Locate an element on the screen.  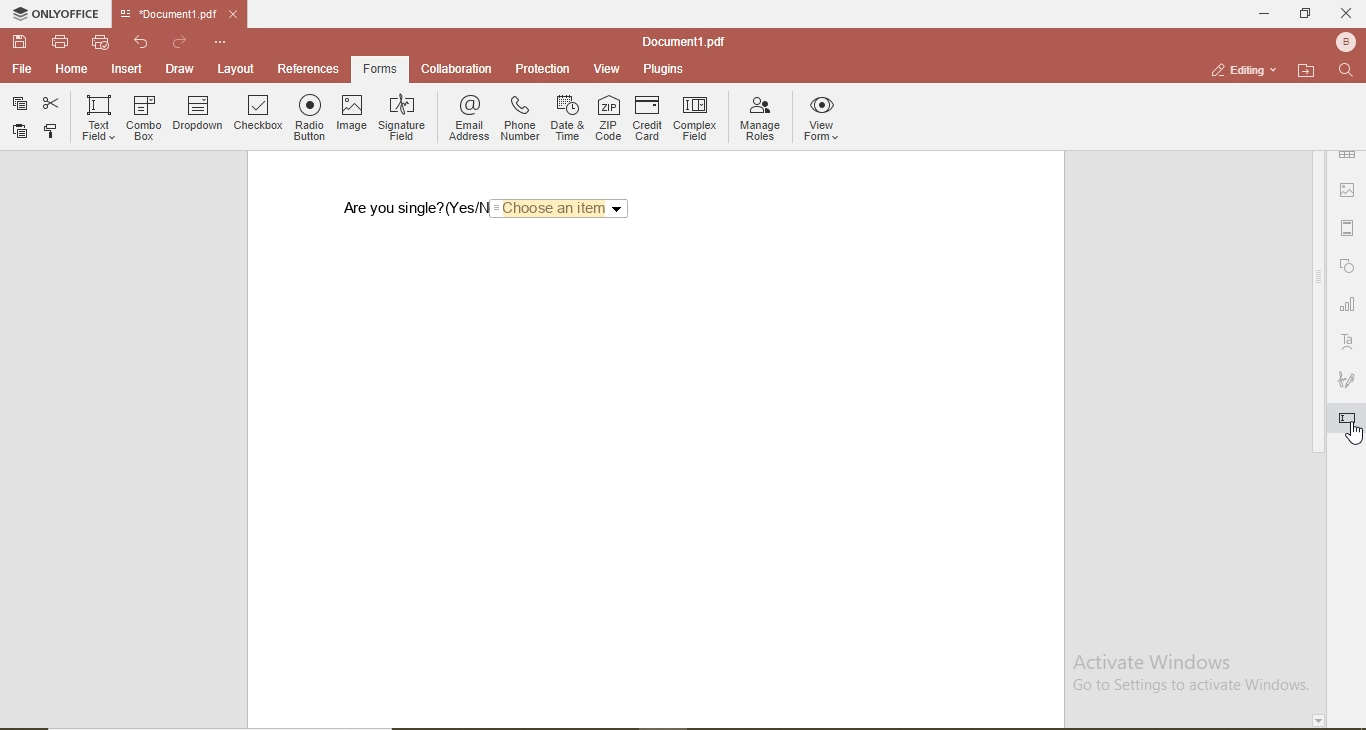
phone number is located at coordinates (520, 117).